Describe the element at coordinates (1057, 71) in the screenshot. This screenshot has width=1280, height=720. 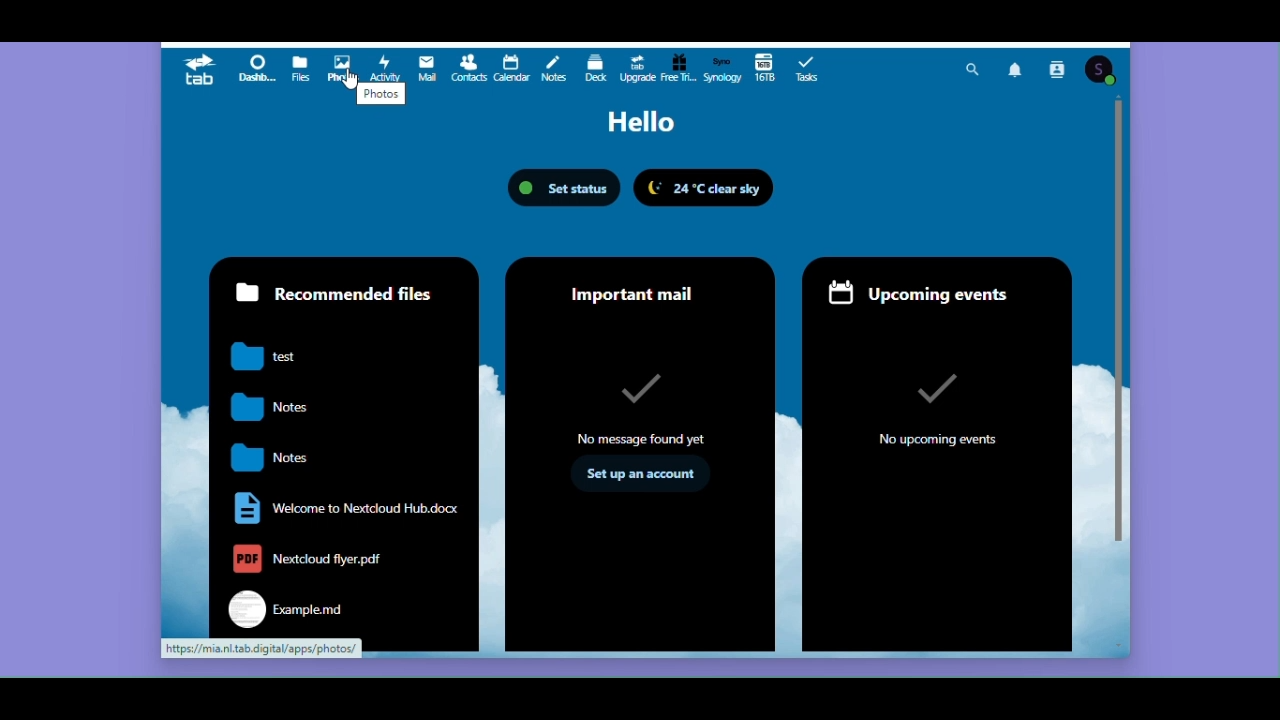
I see `Contacts` at that location.